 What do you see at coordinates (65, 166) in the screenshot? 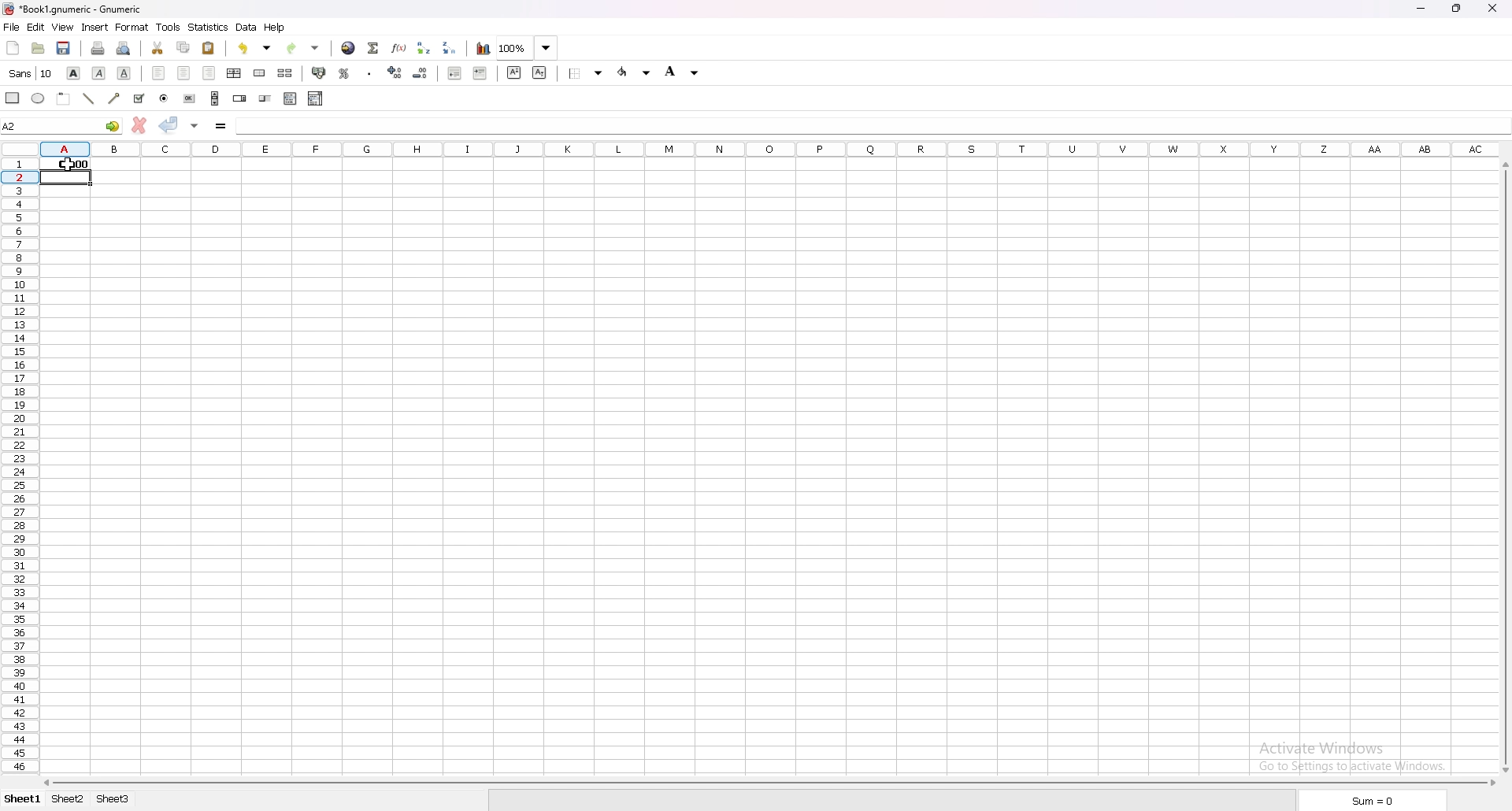
I see `cursor` at bounding box center [65, 166].